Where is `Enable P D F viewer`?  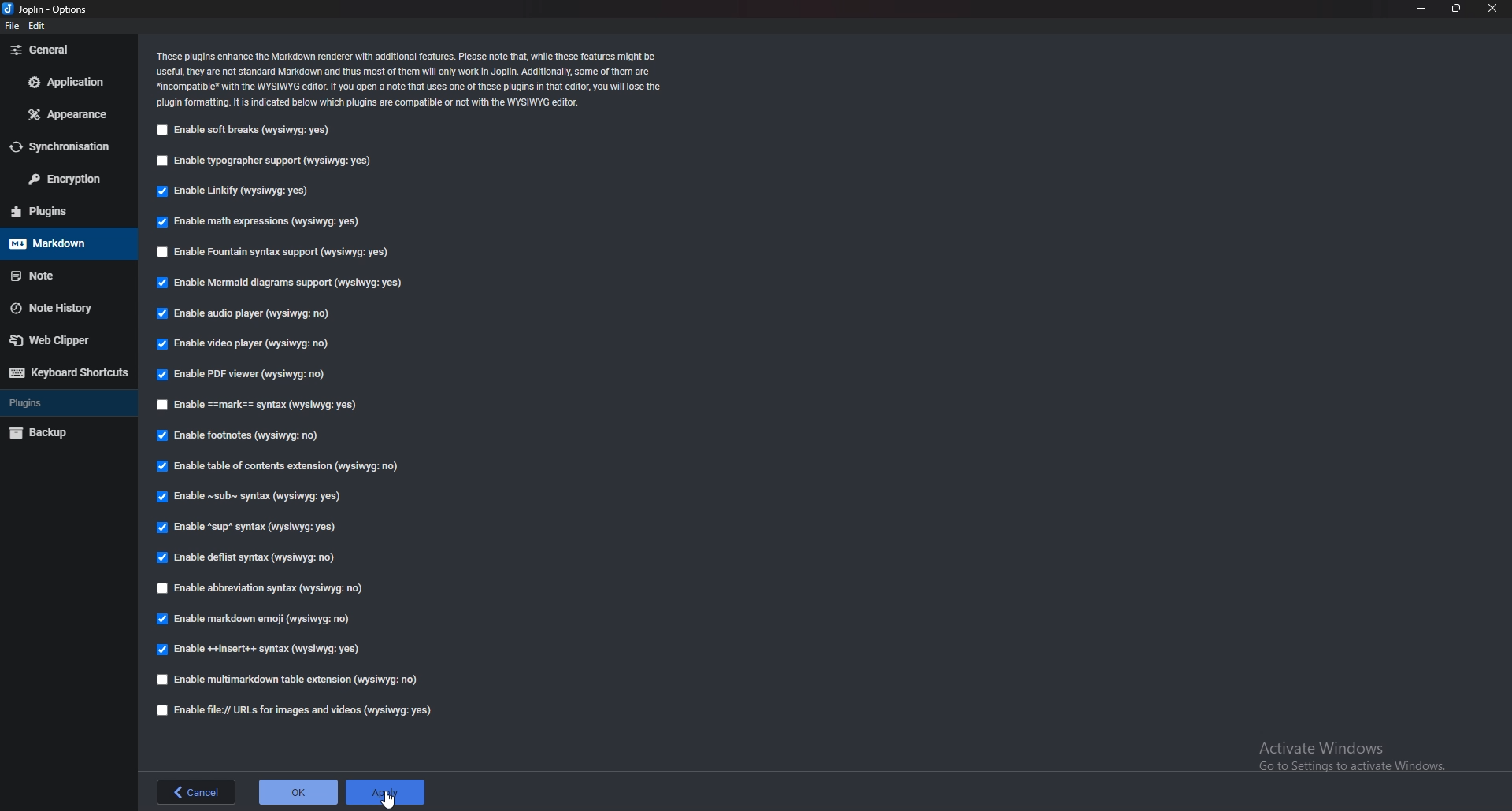 Enable P D F viewer is located at coordinates (239, 375).